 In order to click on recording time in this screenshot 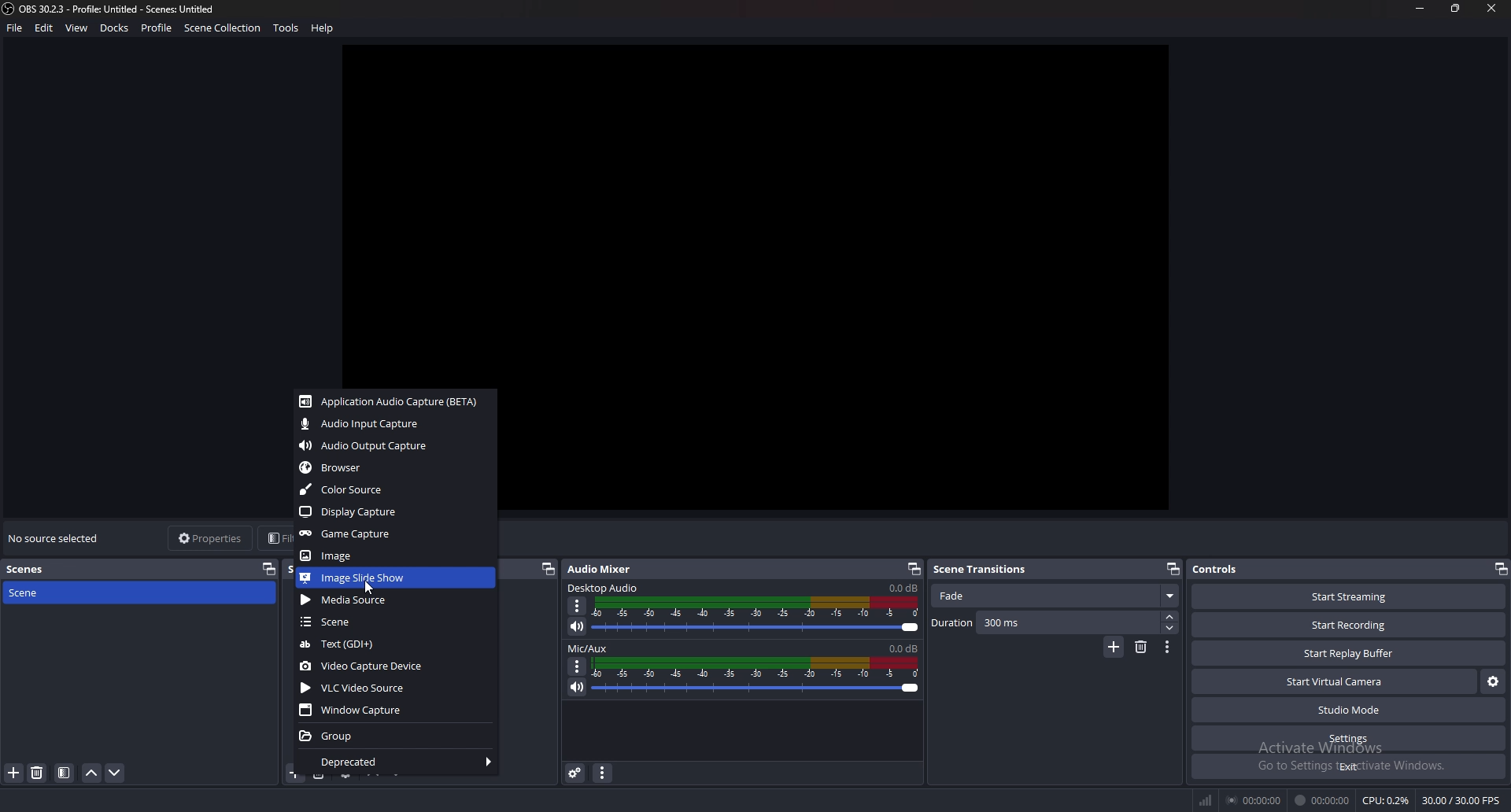, I will do `click(1324, 799)`.